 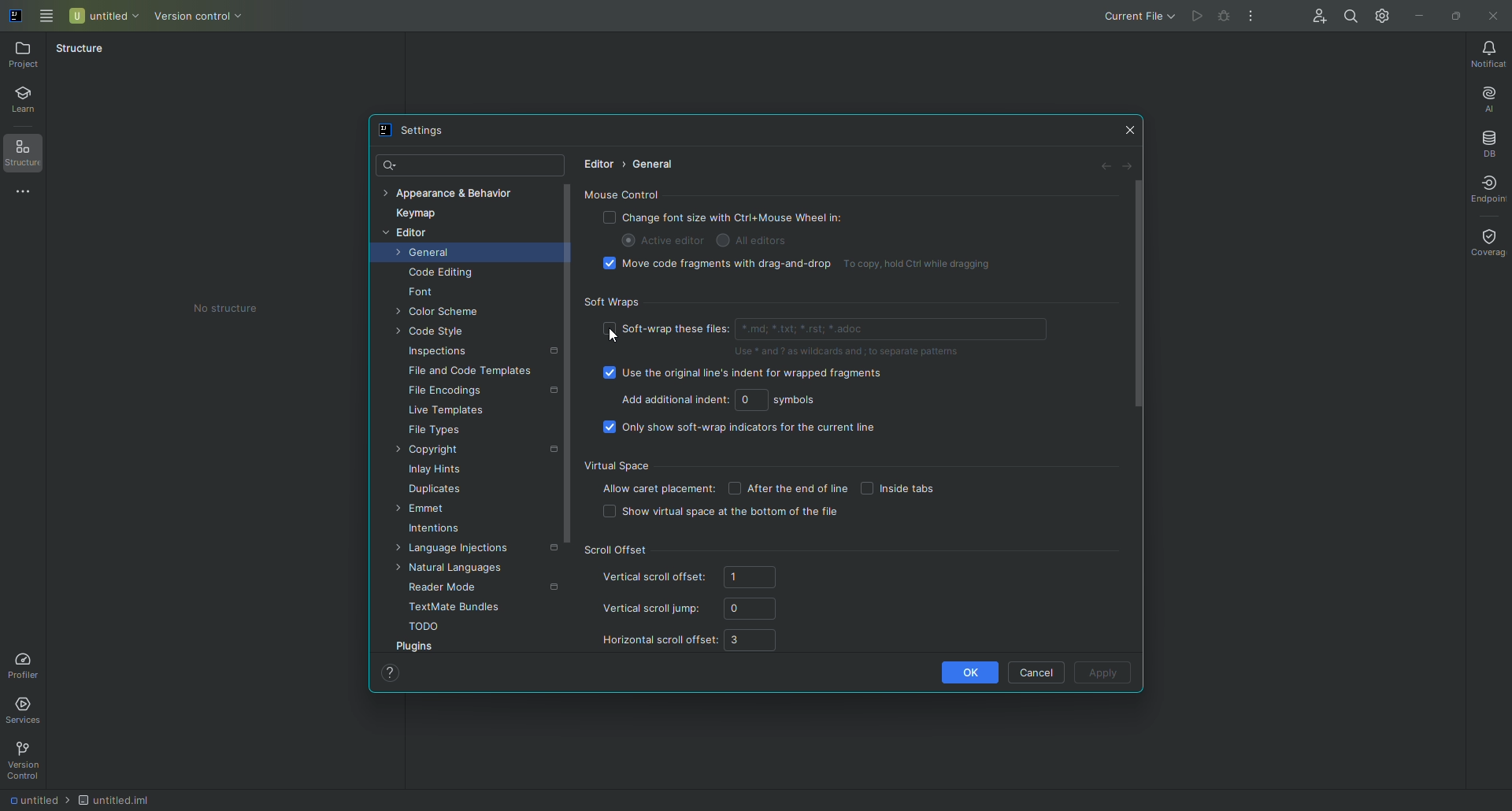 What do you see at coordinates (905, 487) in the screenshot?
I see `Inside tabs` at bounding box center [905, 487].